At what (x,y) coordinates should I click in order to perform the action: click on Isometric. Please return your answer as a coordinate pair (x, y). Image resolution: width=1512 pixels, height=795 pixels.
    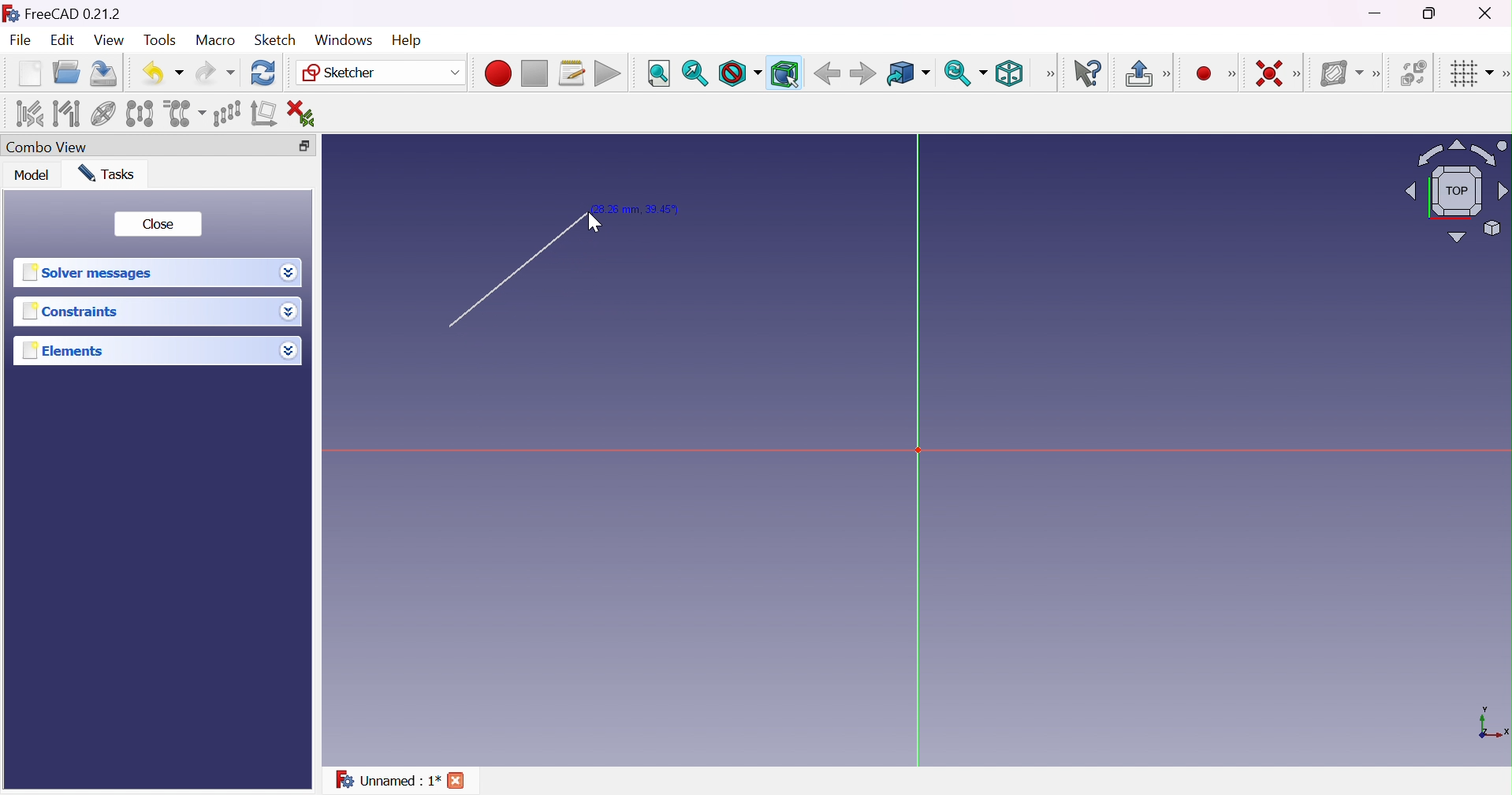
    Looking at the image, I should click on (1013, 73).